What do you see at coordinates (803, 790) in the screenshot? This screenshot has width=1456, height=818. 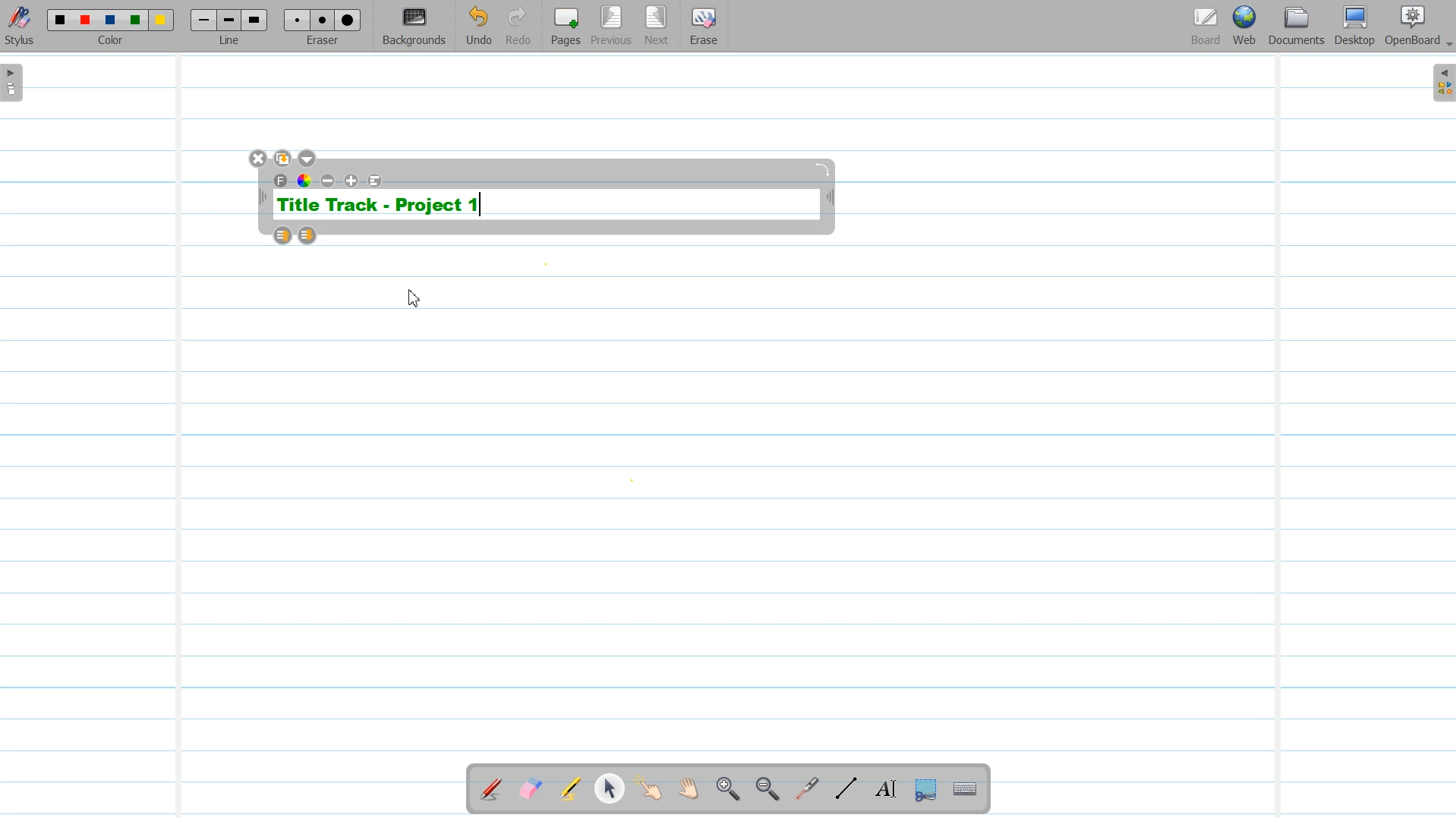 I see `Virtual Laser Pointer` at bounding box center [803, 790].